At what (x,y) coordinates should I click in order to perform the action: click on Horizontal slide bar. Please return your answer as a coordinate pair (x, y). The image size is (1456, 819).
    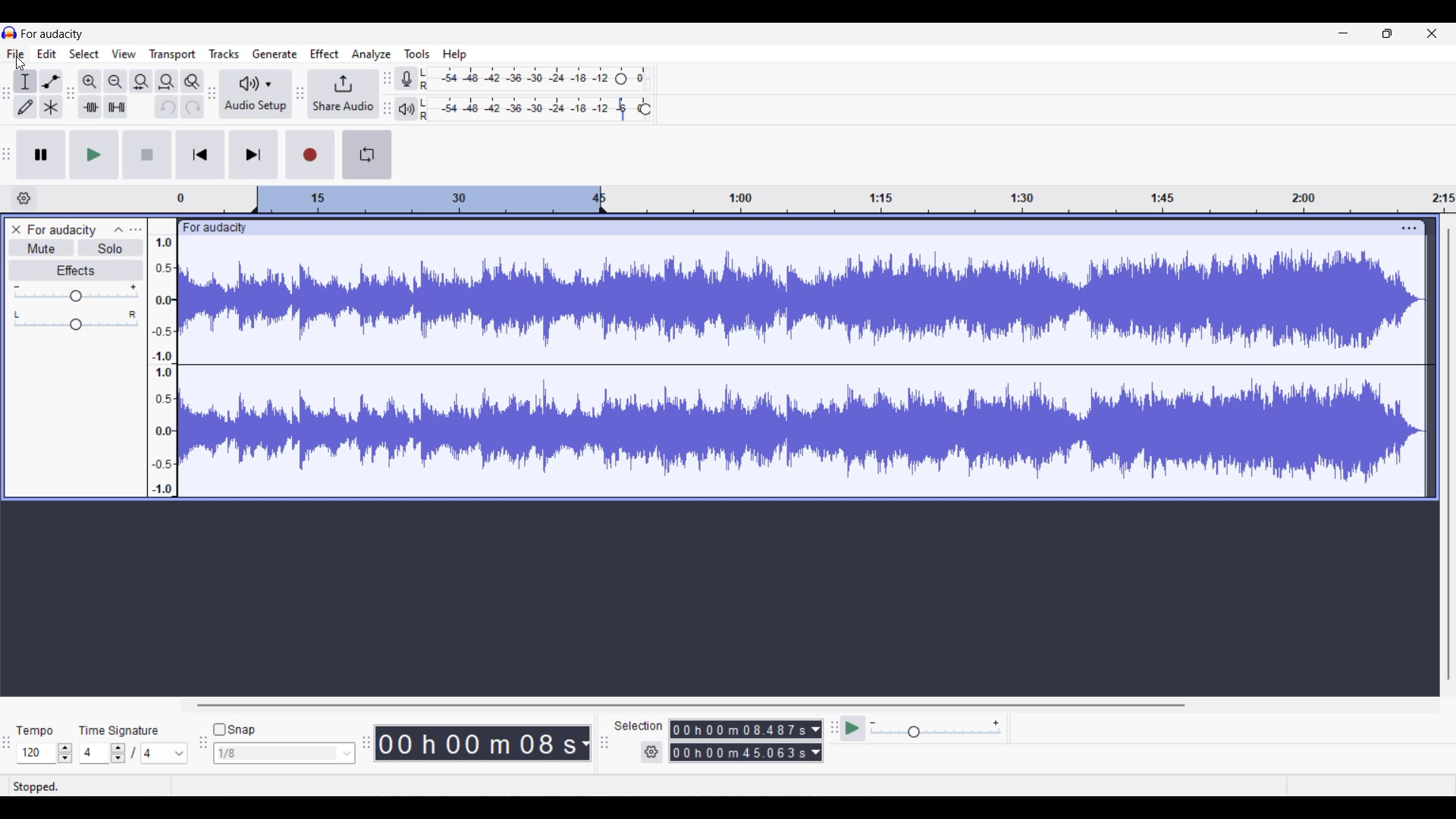
    Looking at the image, I should click on (690, 705).